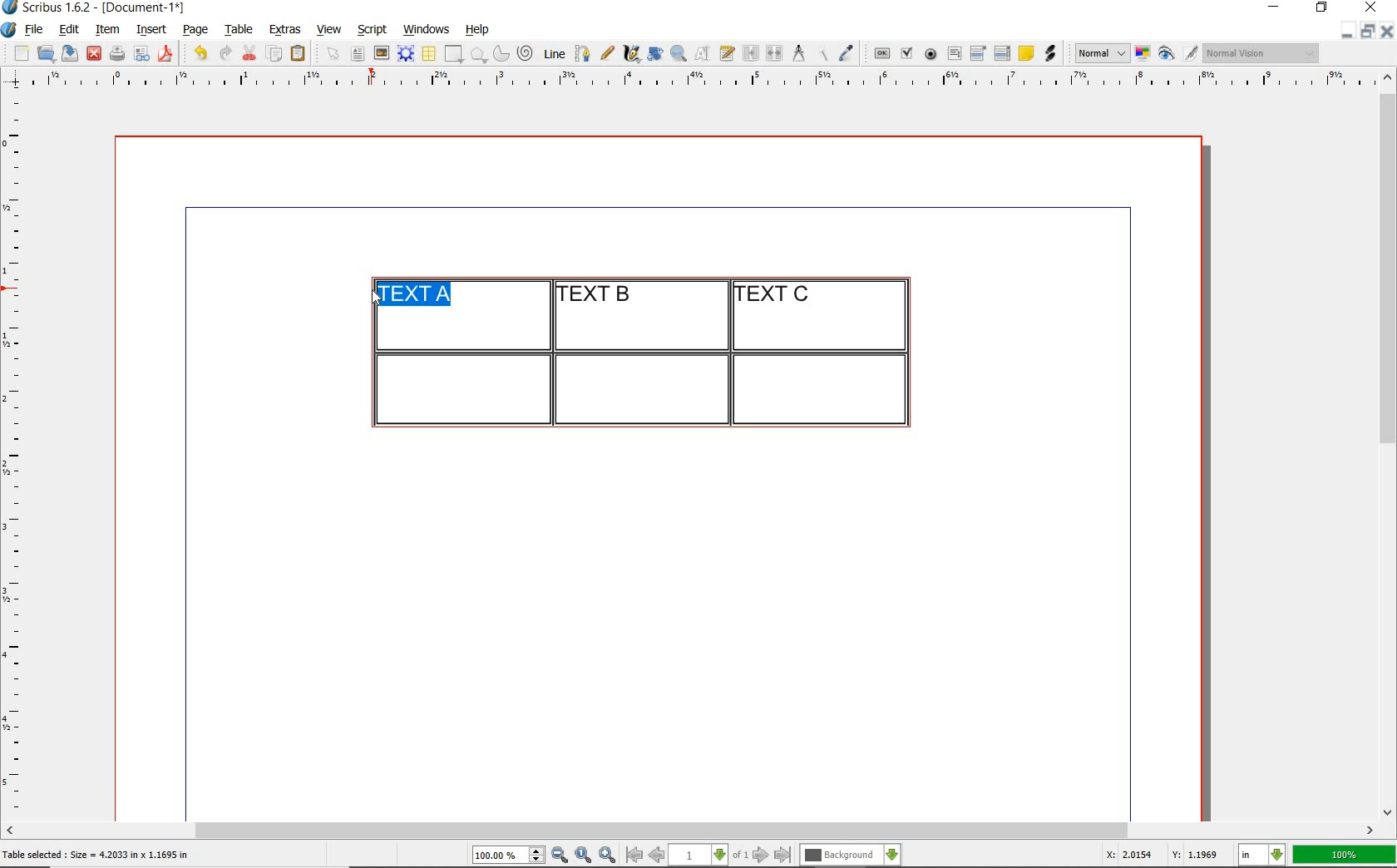 The image size is (1397, 868). What do you see at coordinates (552, 53) in the screenshot?
I see `line` at bounding box center [552, 53].